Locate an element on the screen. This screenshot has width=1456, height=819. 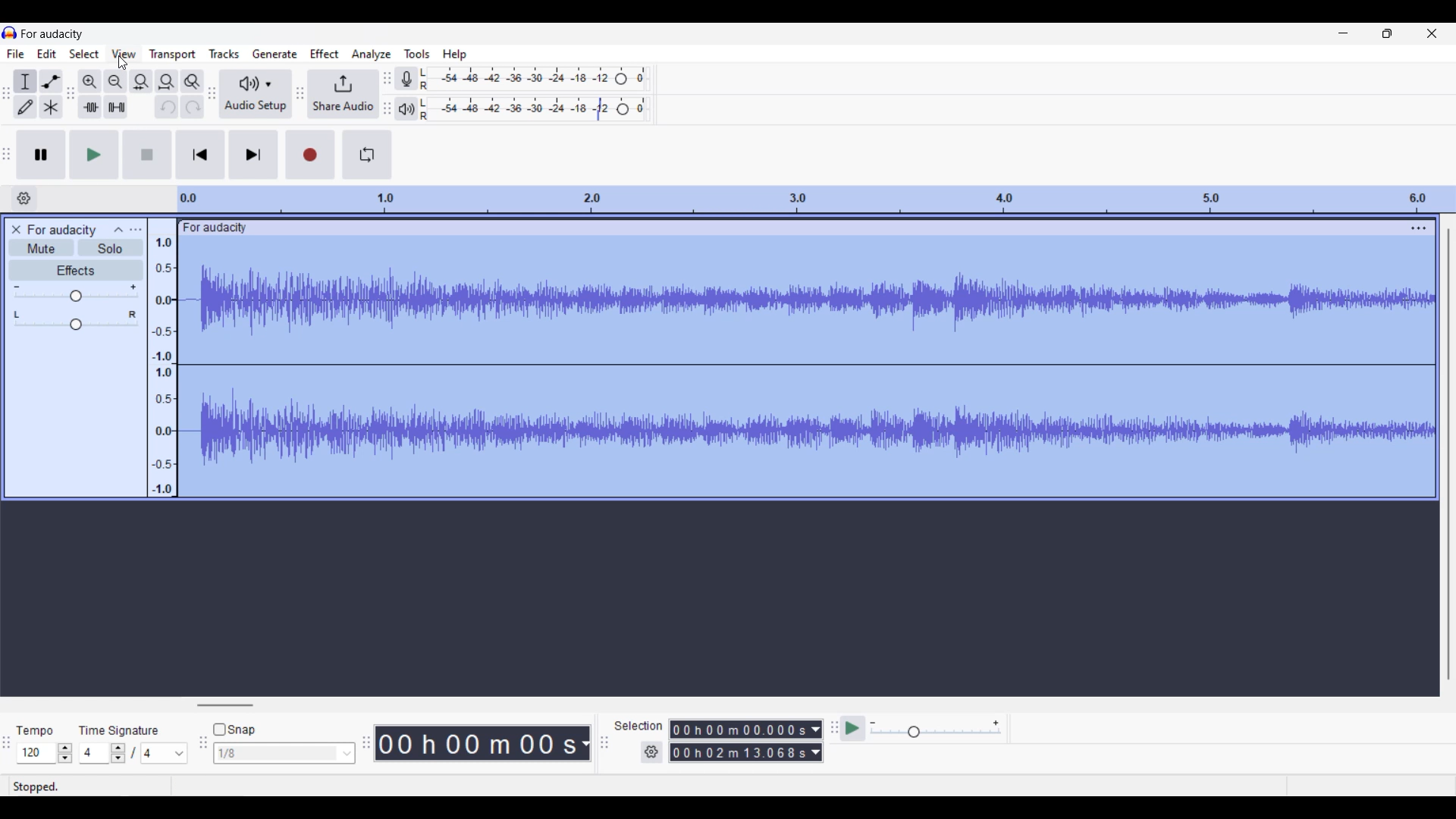
Record meter is located at coordinates (404, 79).